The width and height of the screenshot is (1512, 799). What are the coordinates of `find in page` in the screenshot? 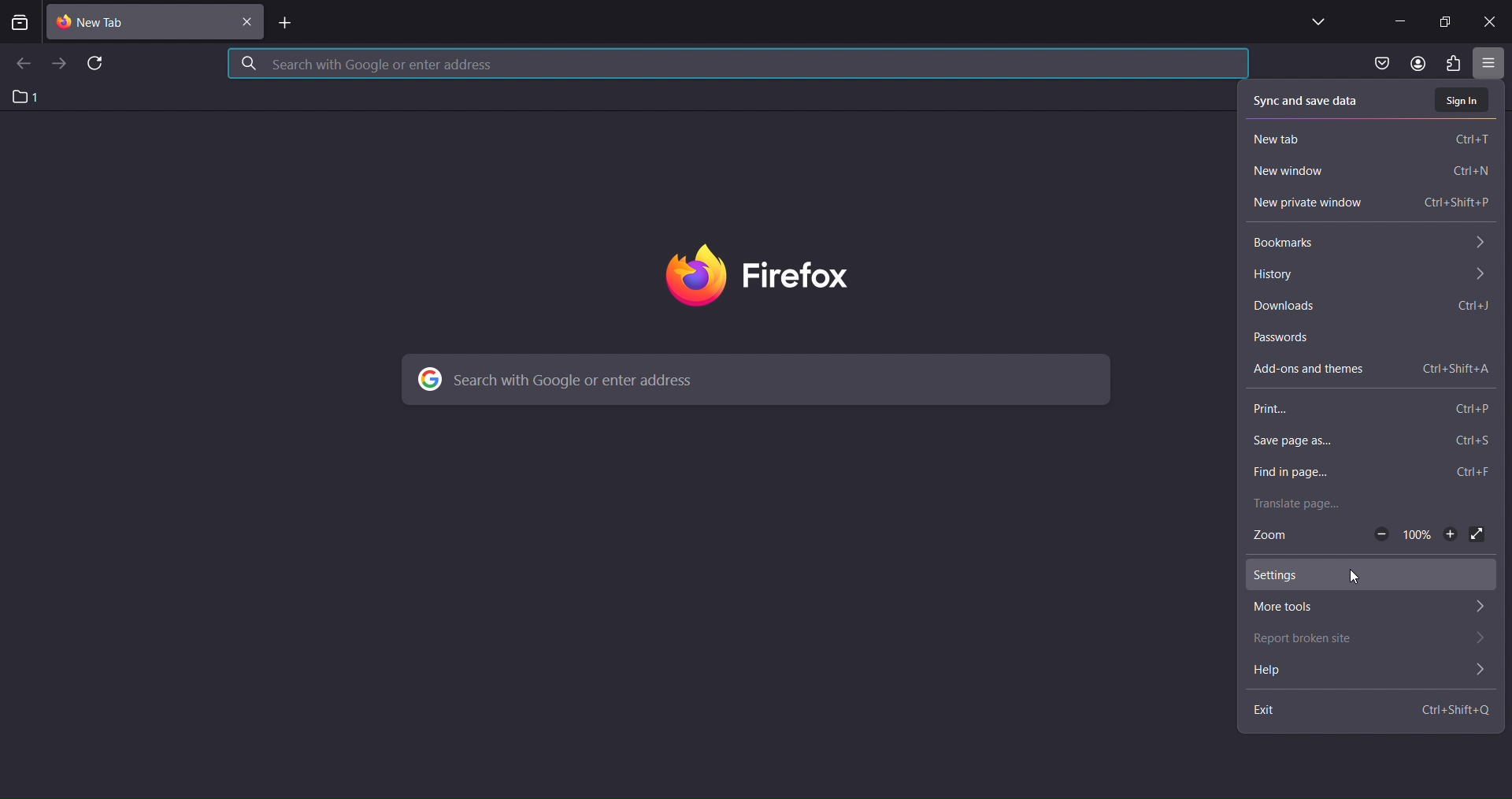 It's located at (1373, 471).